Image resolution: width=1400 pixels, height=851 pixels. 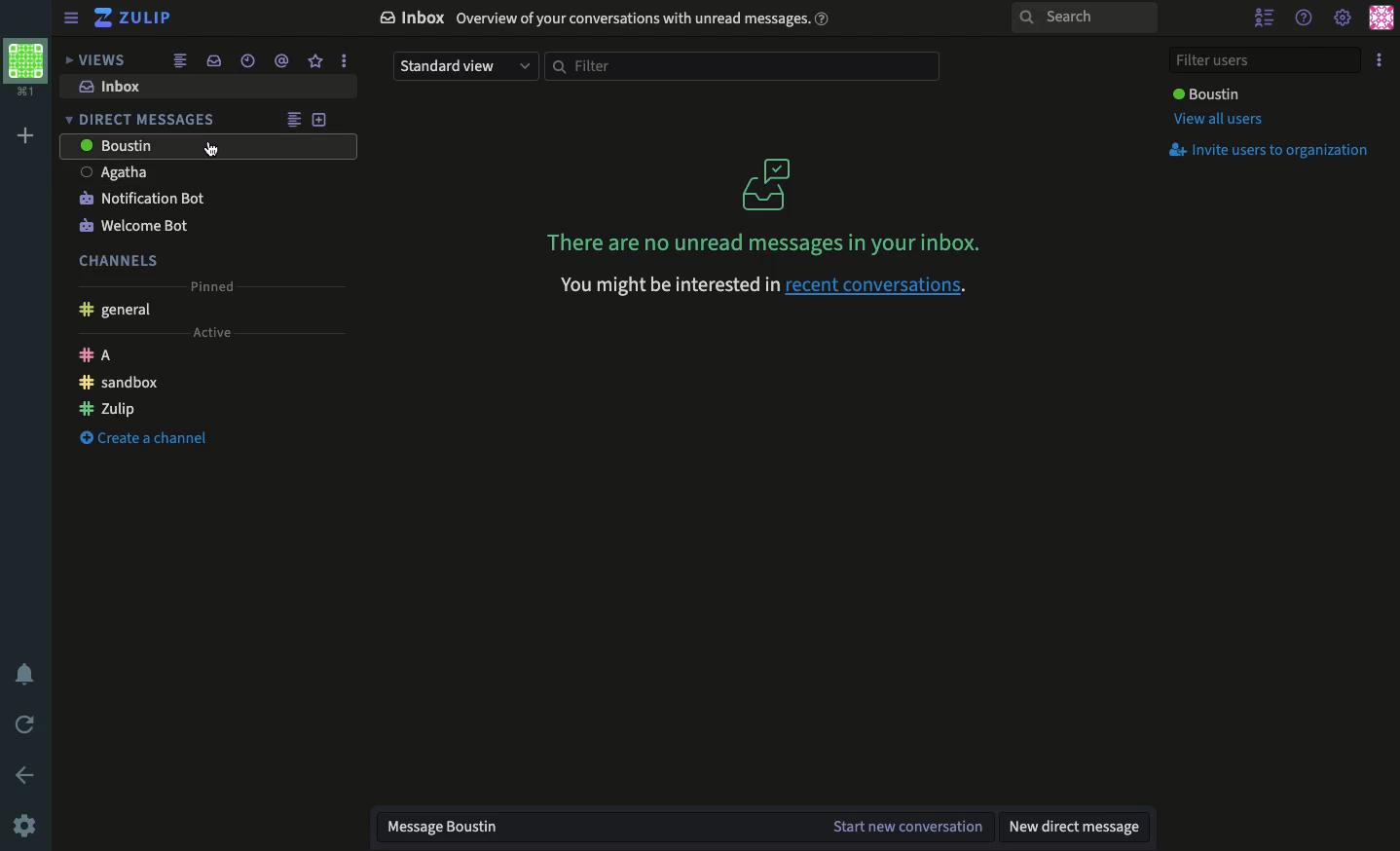 What do you see at coordinates (348, 60) in the screenshot?
I see `more` at bounding box center [348, 60].